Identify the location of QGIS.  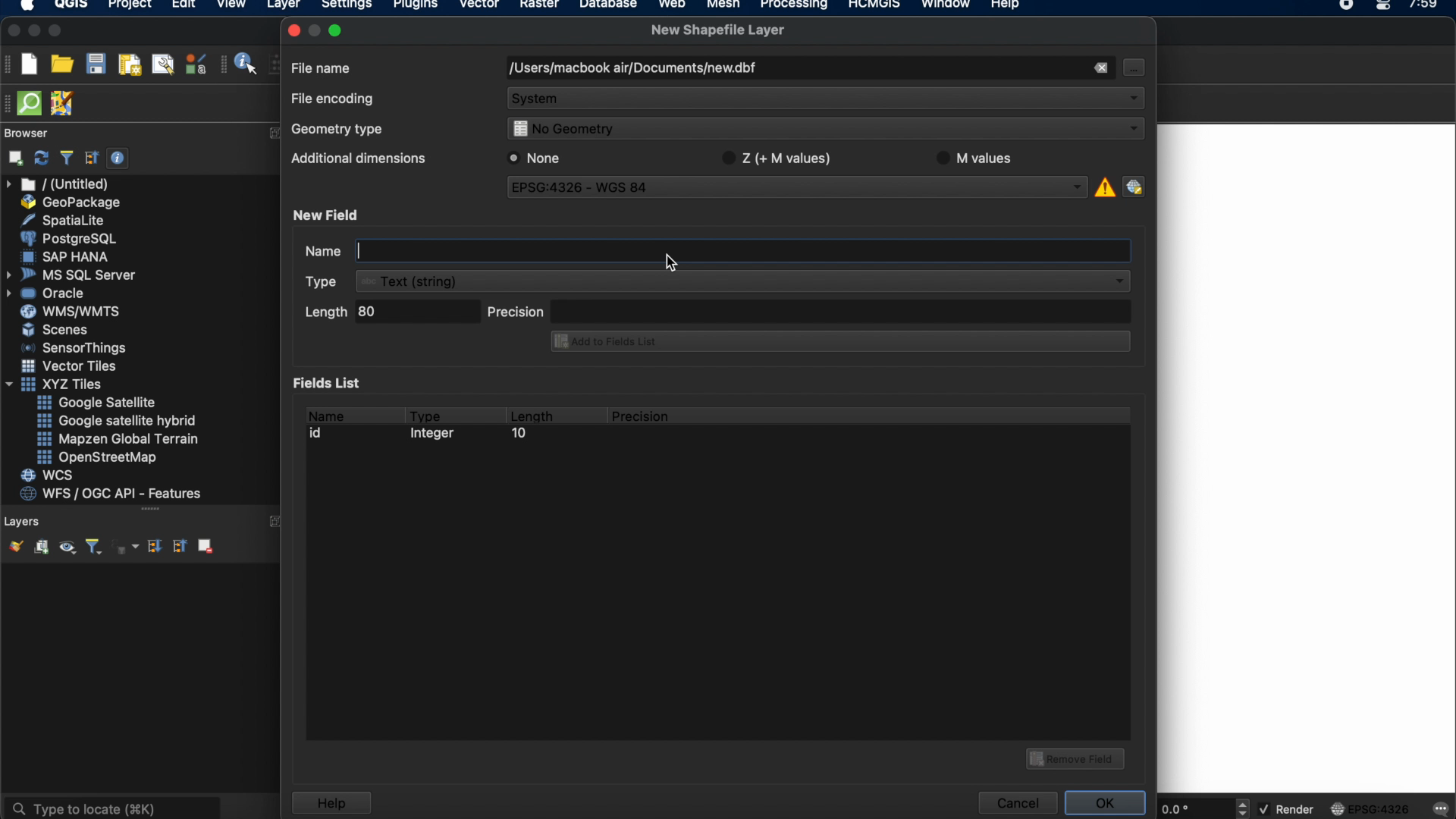
(72, 6).